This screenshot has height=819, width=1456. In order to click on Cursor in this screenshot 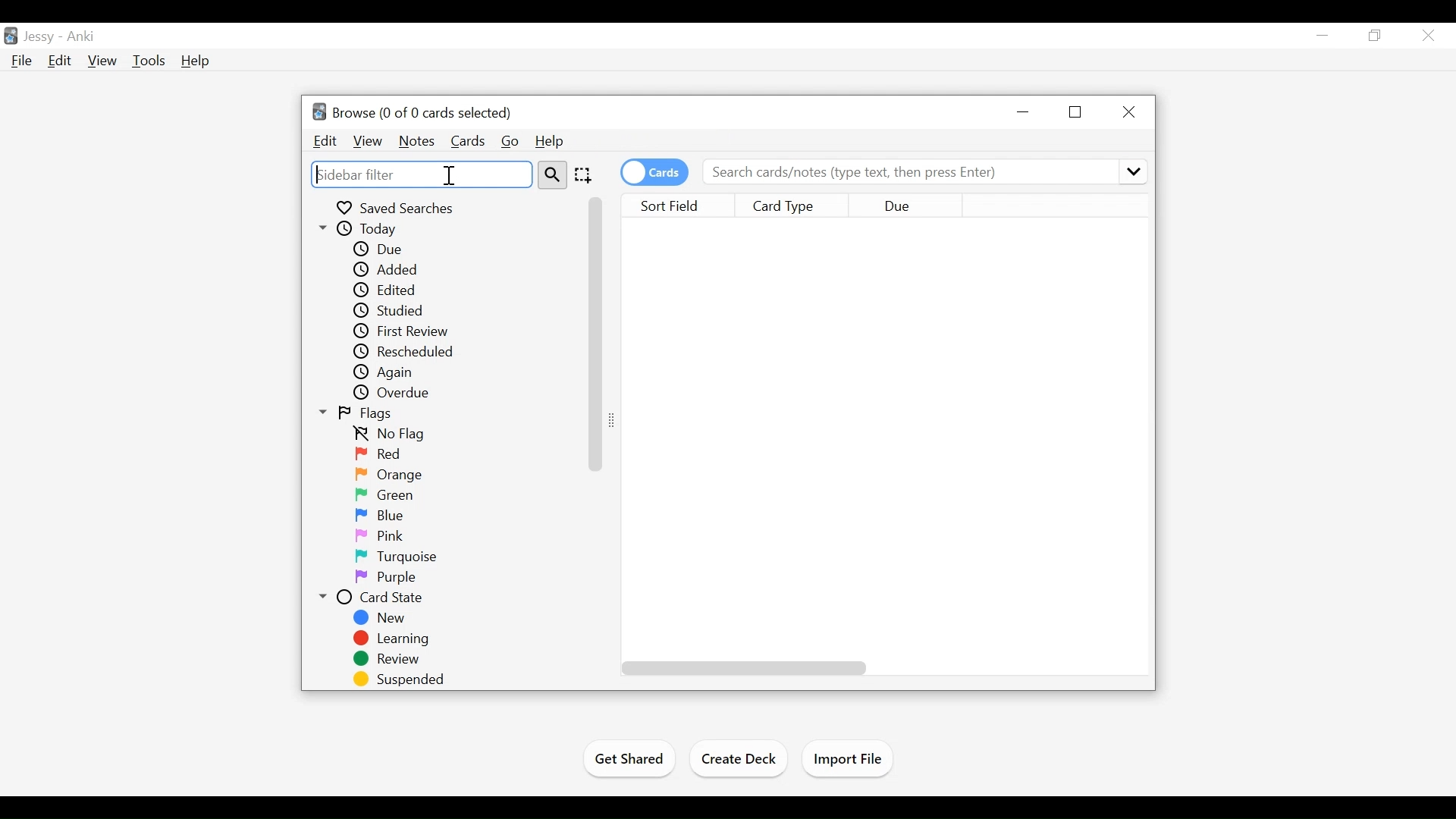, I will do `click(449, 175)`.